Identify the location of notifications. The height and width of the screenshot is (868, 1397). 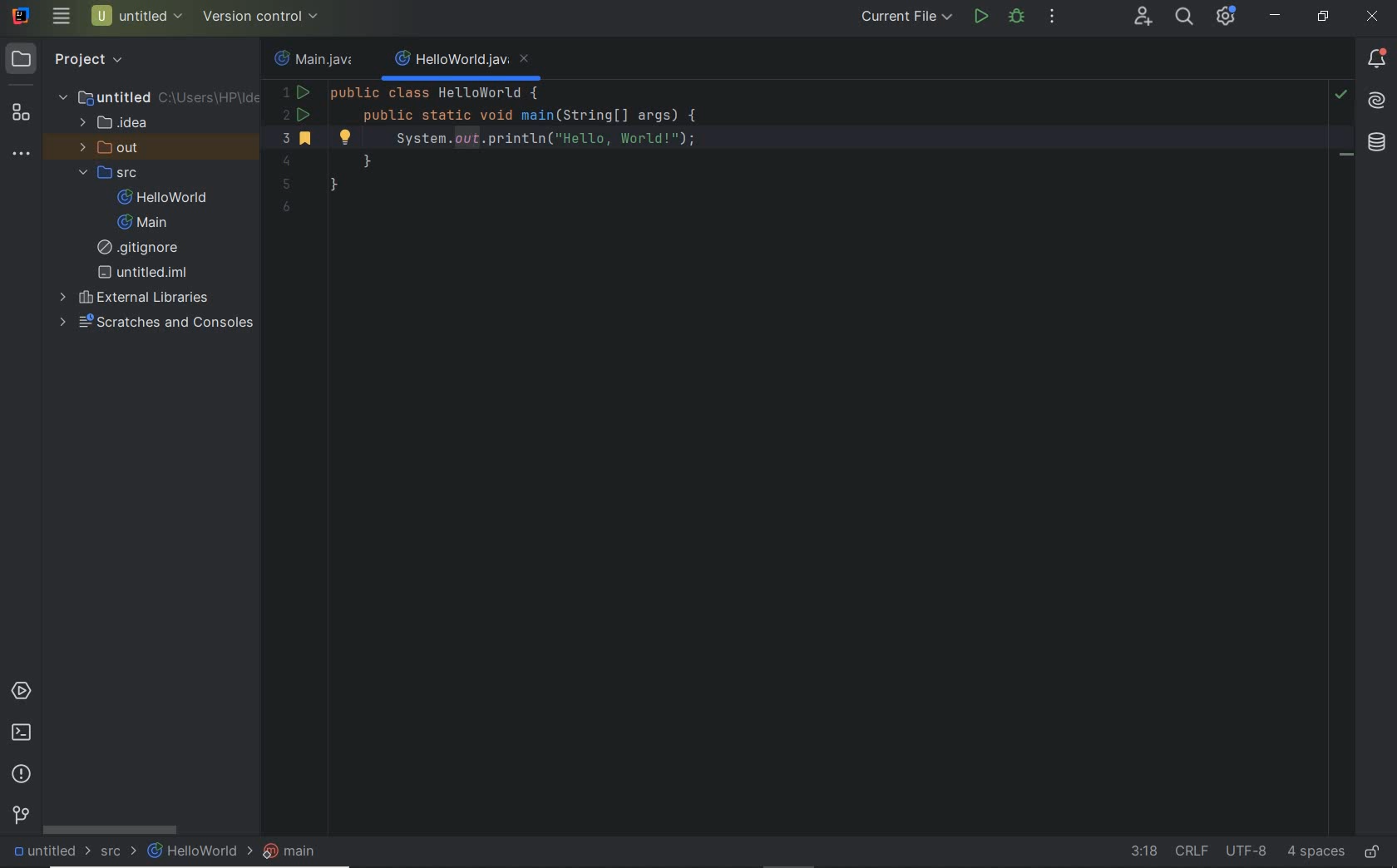
(1377, 61).